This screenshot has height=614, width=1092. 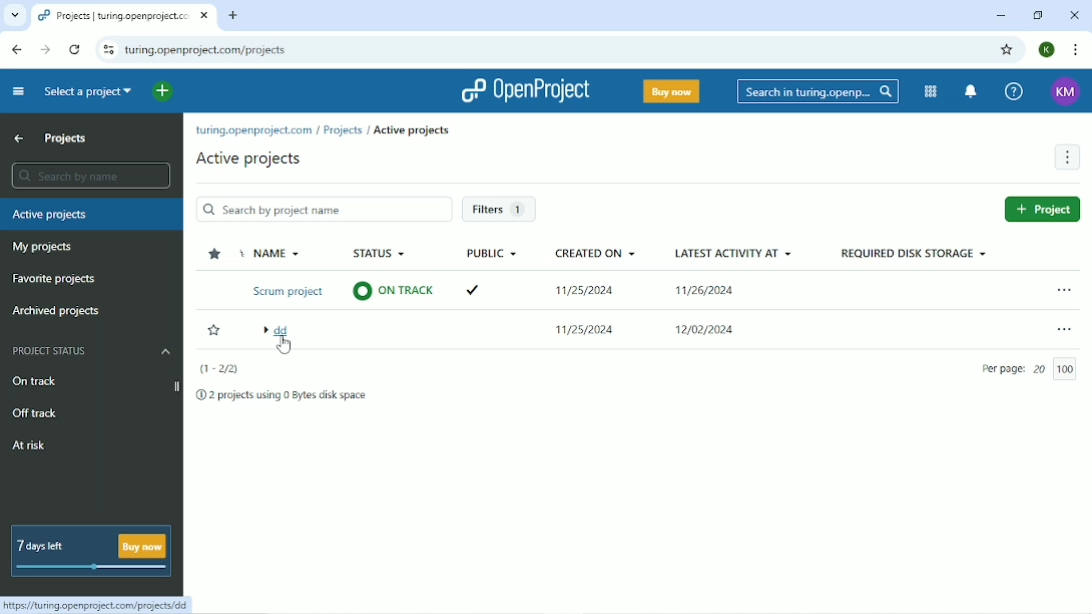 What do you see at coordinates (87, 175) in the screenshot?
I see `Search by name` at bounding box center [87, 175].